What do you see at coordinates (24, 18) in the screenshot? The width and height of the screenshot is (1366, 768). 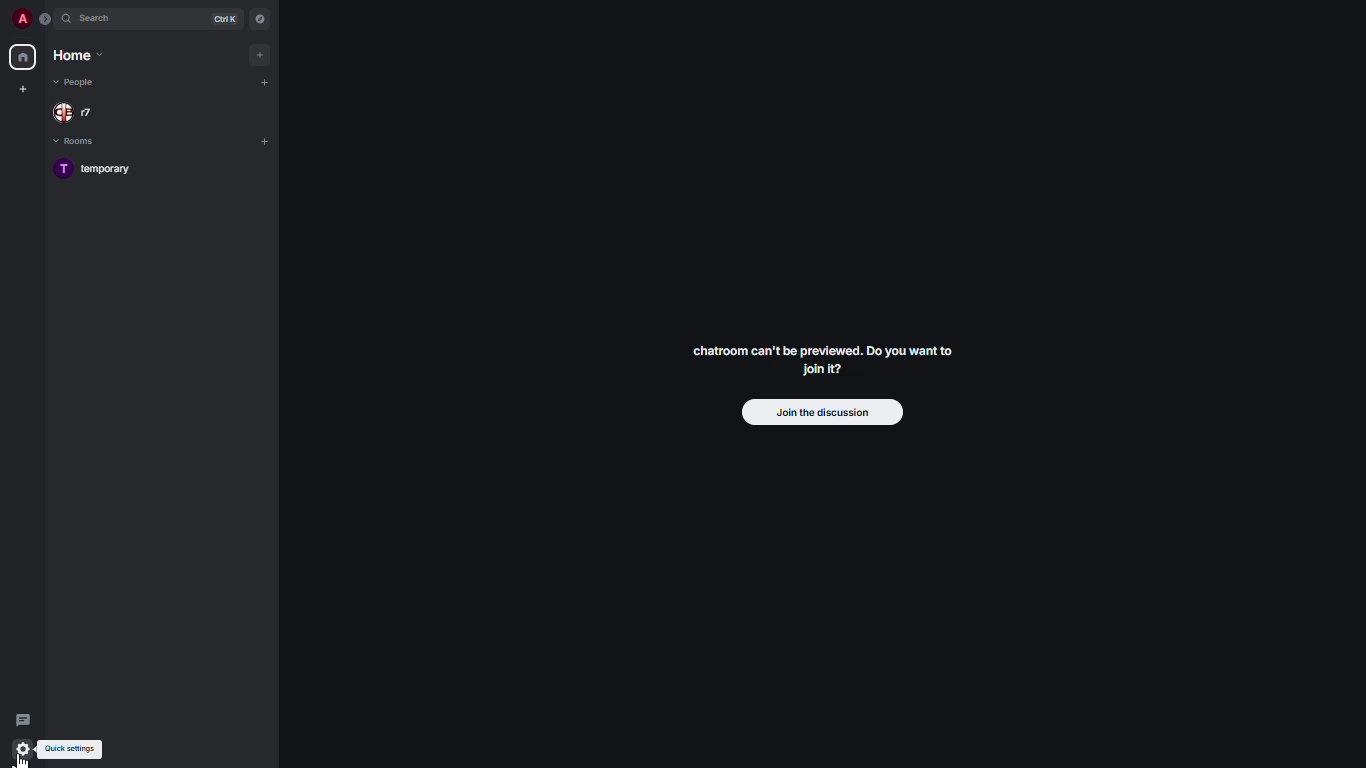 I see `profile` at bounding box center [24, 18].